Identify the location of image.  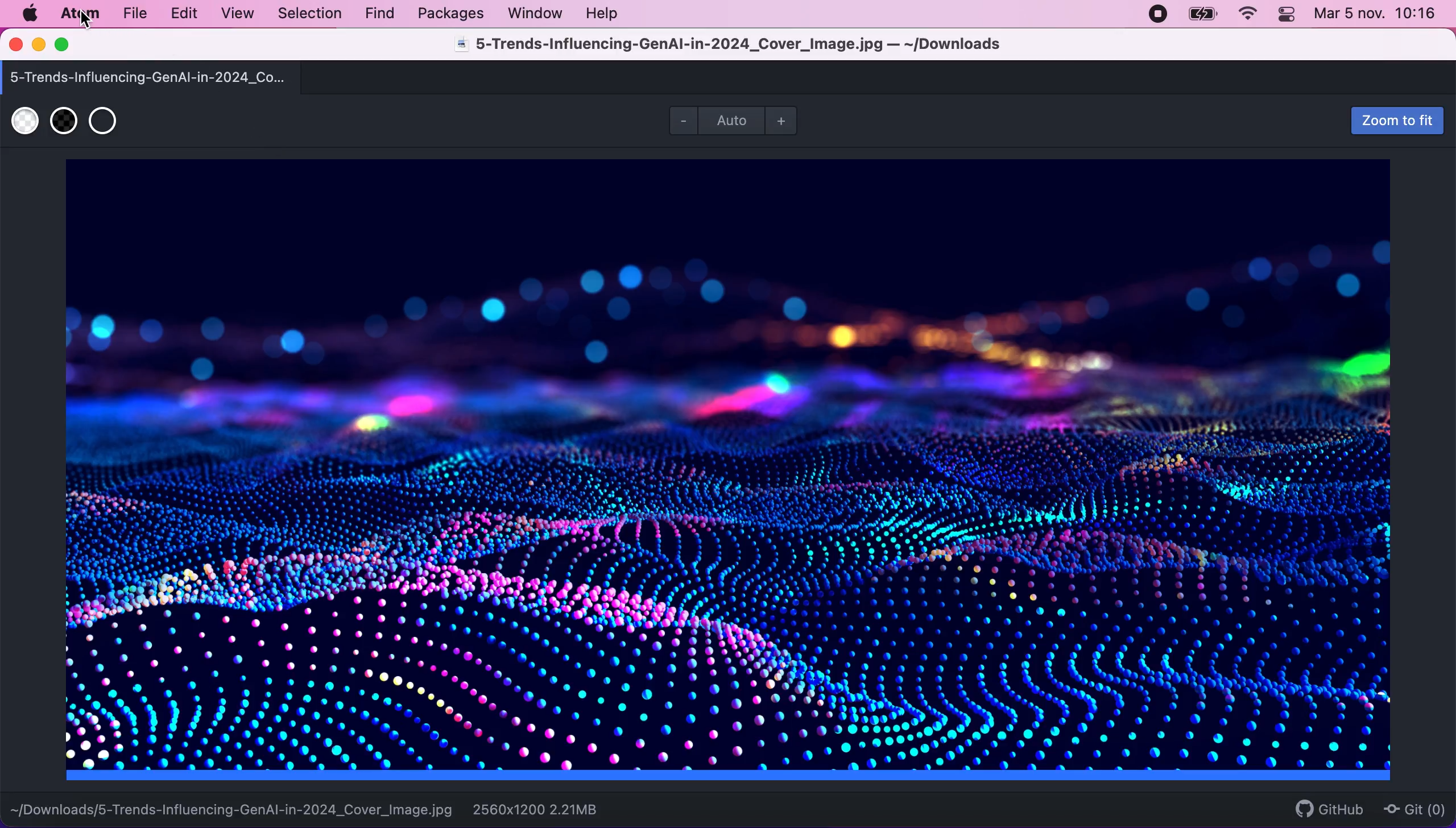
(734, 472).